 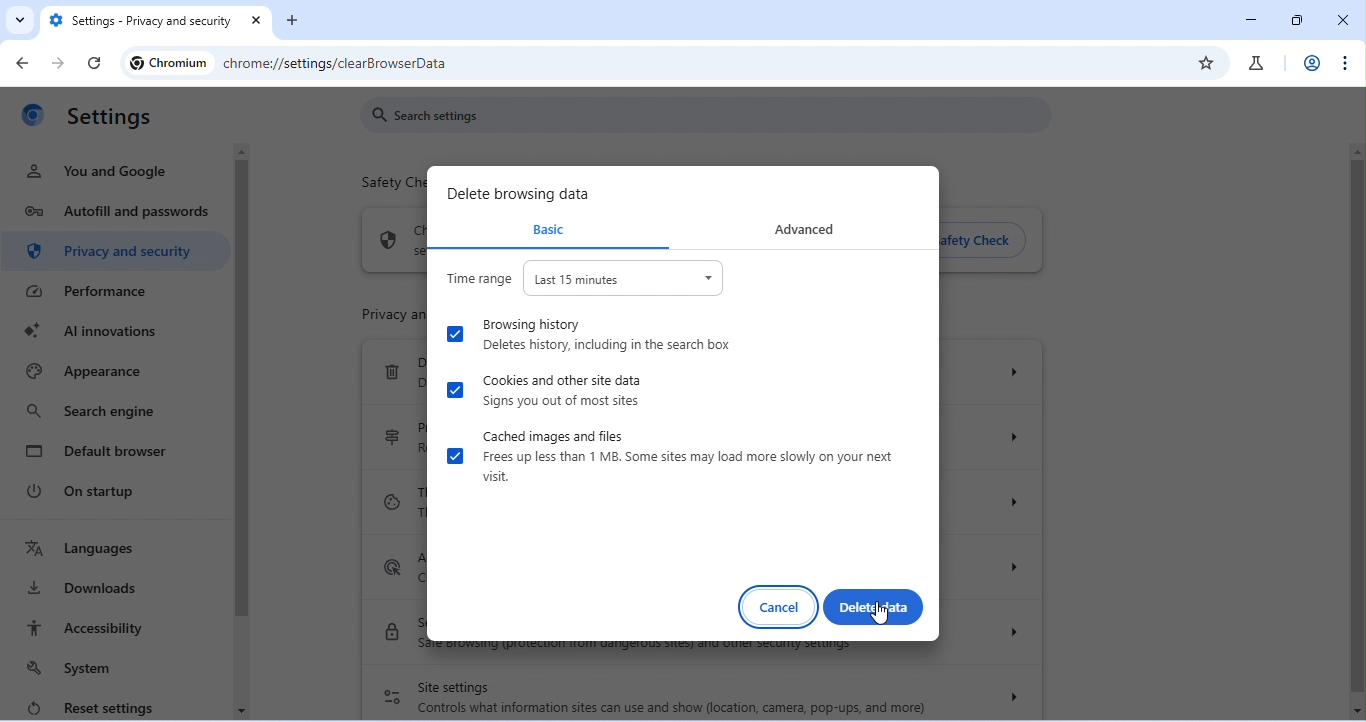 I want to click on search settings, so click(x=707, y=114).